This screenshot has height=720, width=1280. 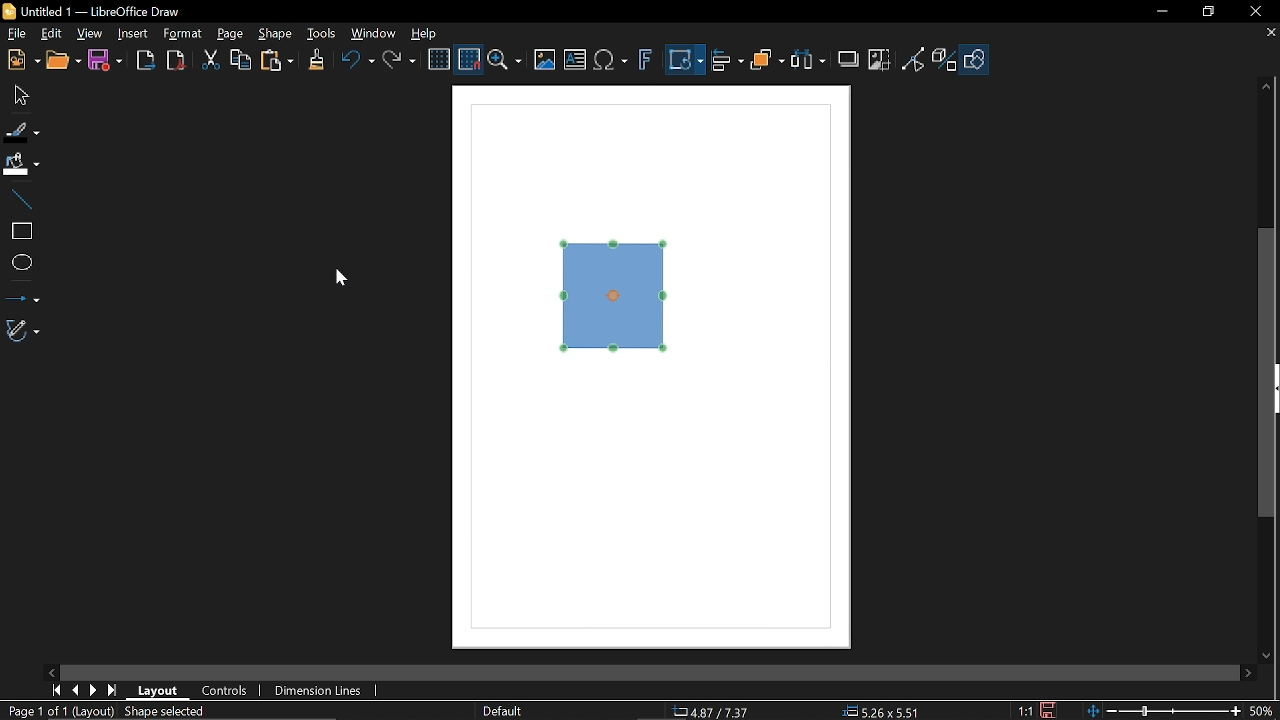 What do you see at coordinates (107, 10) in the screenshot?
I see `Untitled 1 -- LibreOffice Draw` at bounding box center [107, 10].